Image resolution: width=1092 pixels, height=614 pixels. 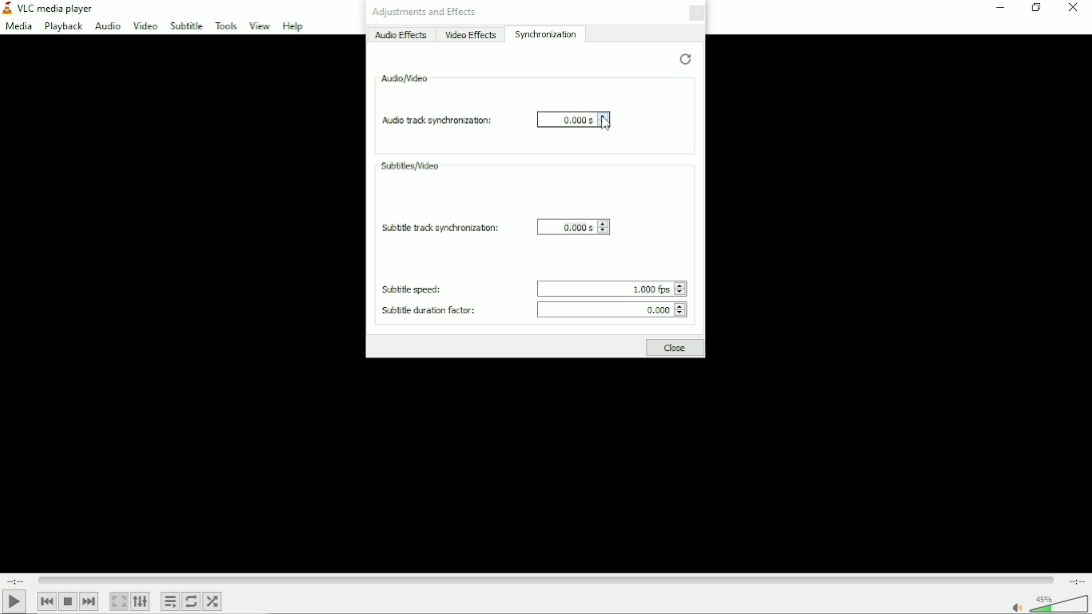 What do you see at coordinates (145, 25) in the screenshot?
I see `Video` at bounding box center [145, 25].